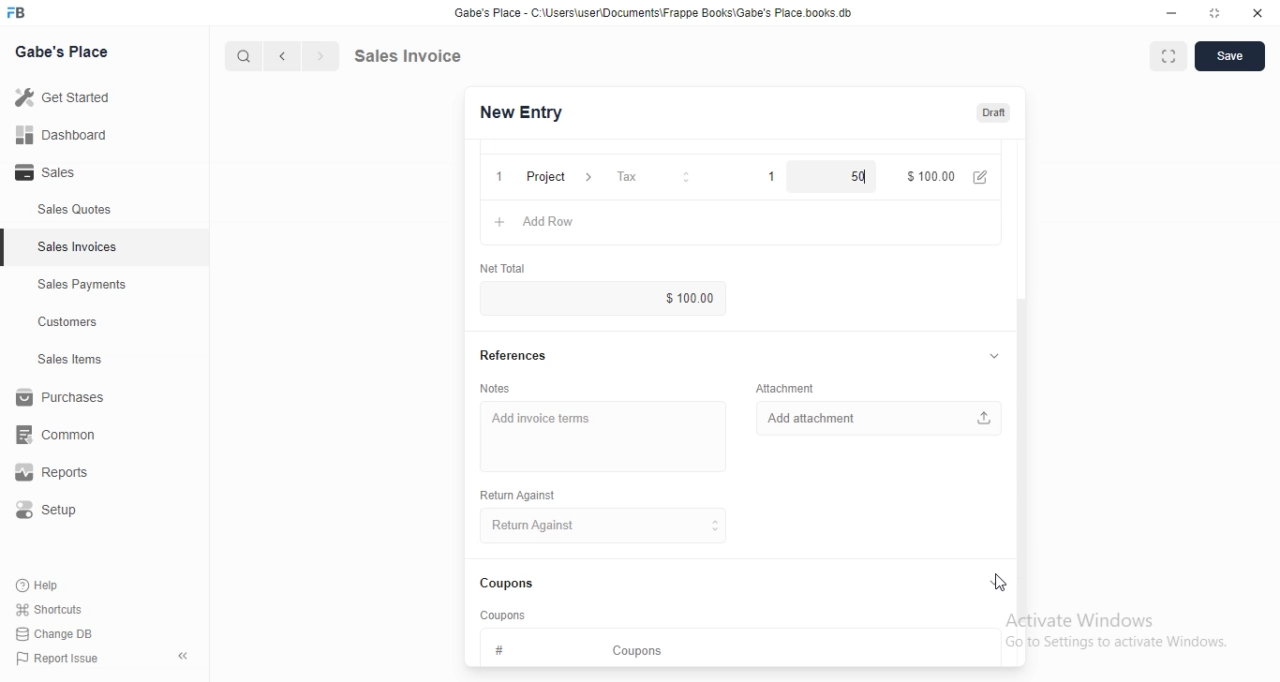  I want to click on Reports, so click(65, 475).